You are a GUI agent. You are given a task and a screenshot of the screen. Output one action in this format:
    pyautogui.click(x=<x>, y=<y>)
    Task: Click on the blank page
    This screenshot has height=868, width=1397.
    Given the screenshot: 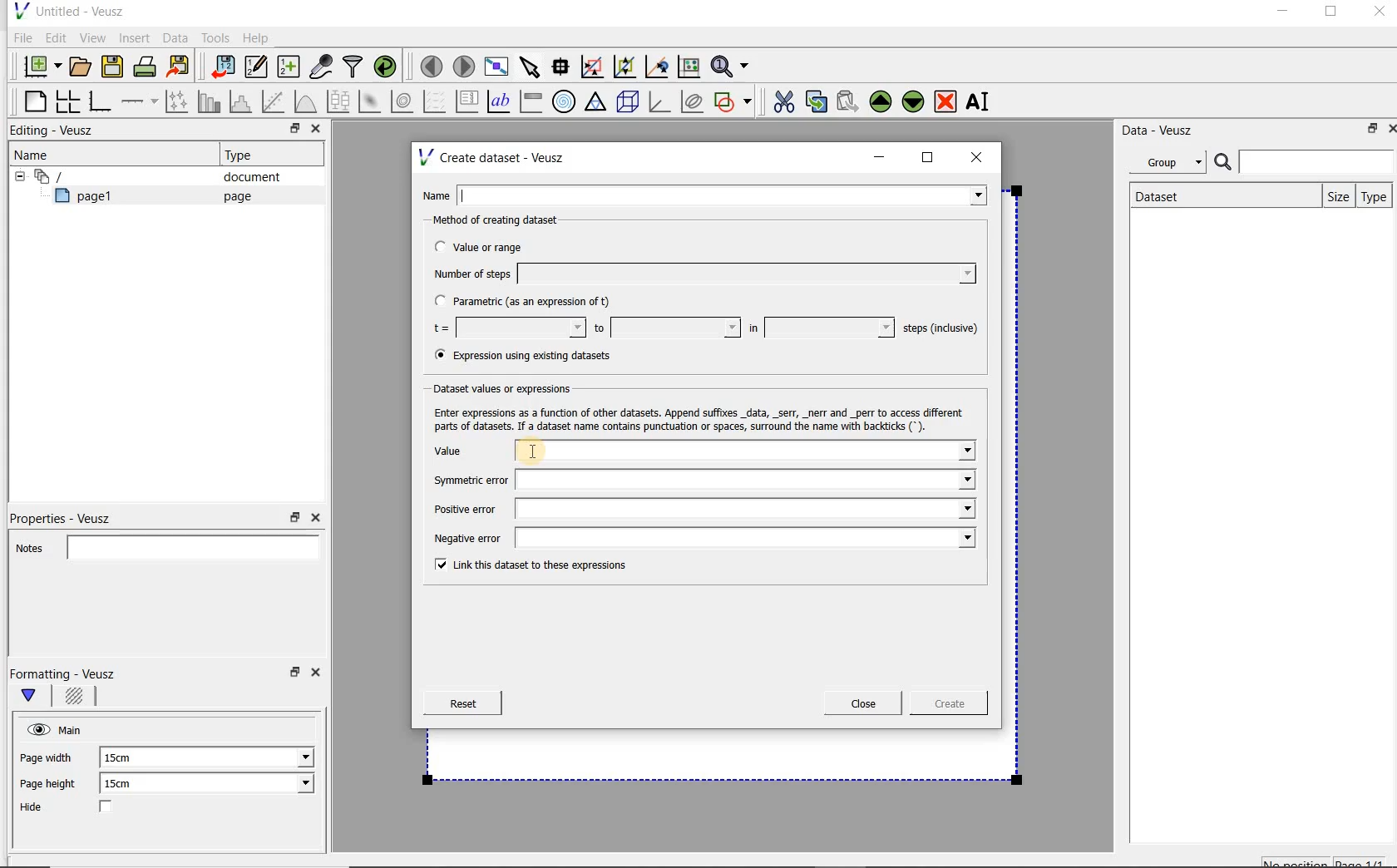 What is the action you would take?
    pyautogui.click(x=32, y=99)
    